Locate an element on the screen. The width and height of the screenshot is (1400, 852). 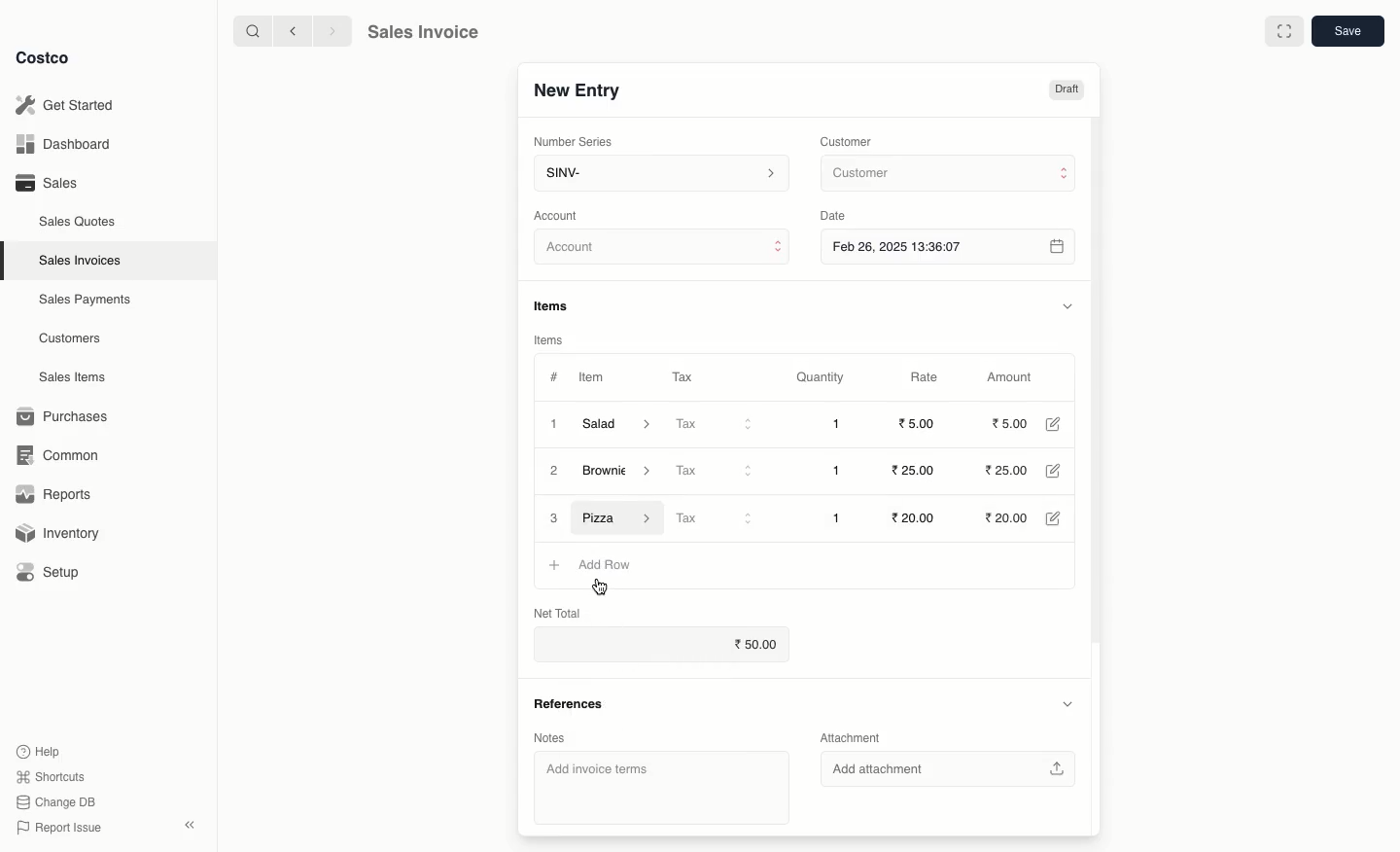
1 is located at coordinates (836, 424).